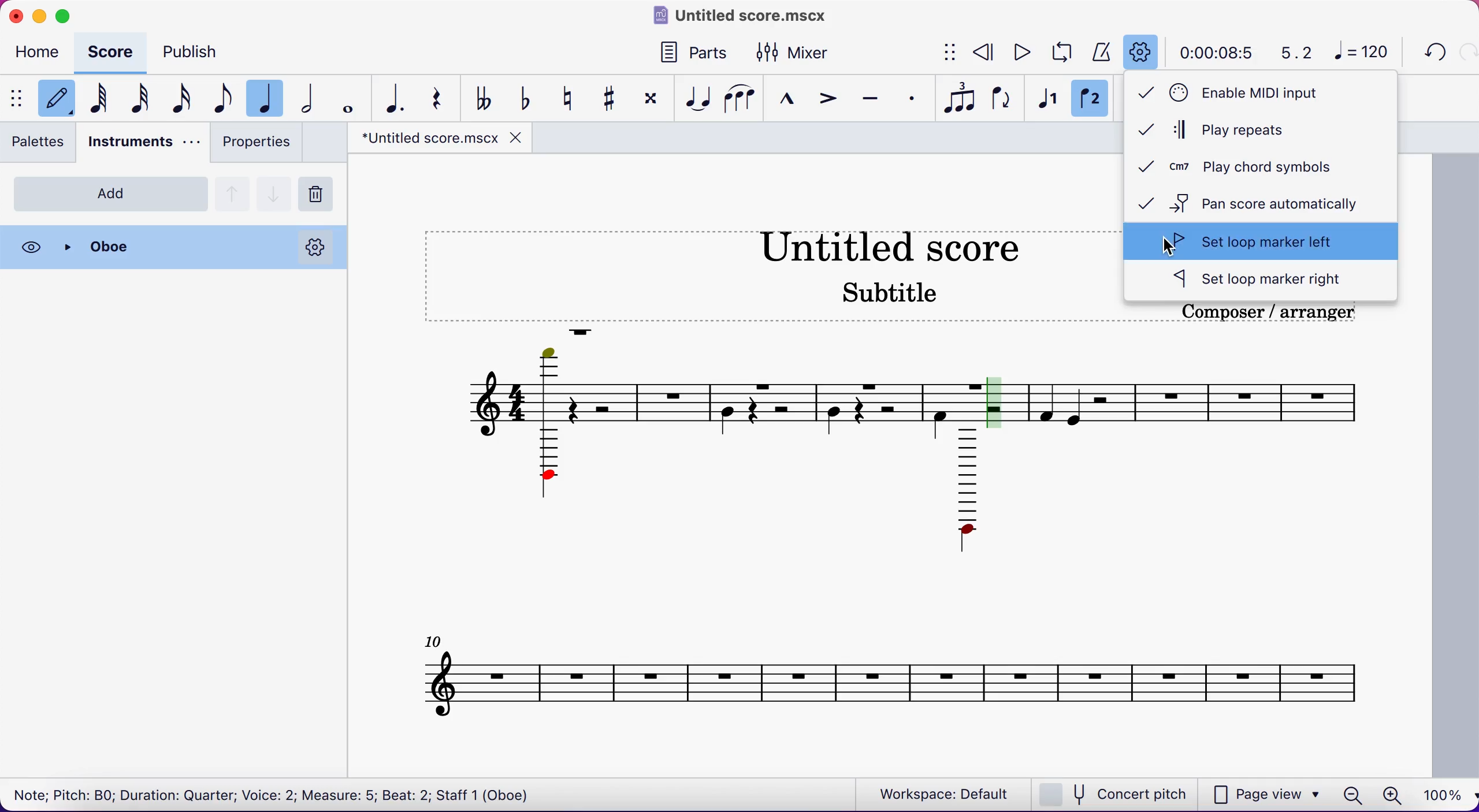 This screenshot has width=1479, height=812. I want to click on 100%, so click(1439, 793).